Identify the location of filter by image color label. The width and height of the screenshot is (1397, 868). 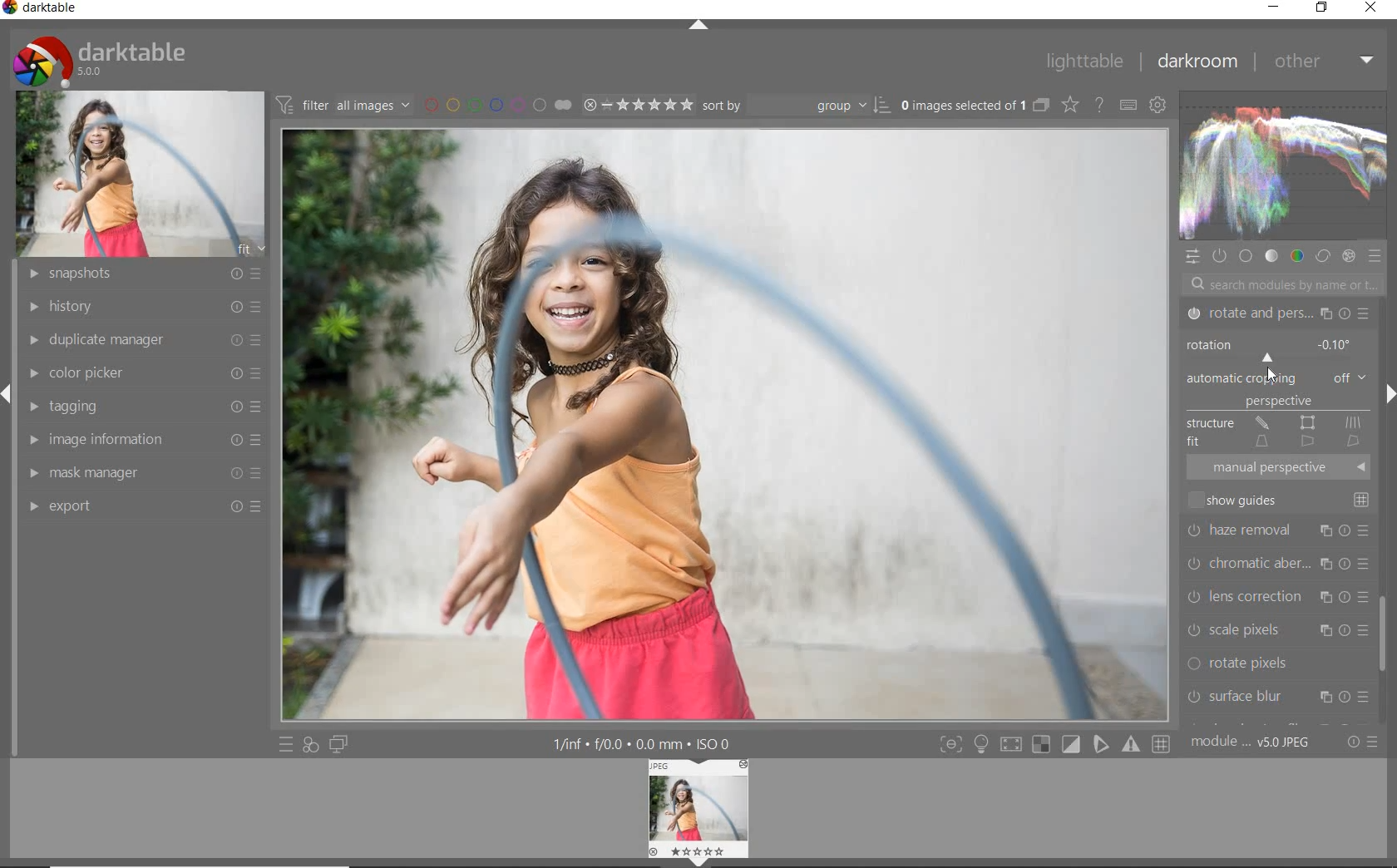
(497, 104).